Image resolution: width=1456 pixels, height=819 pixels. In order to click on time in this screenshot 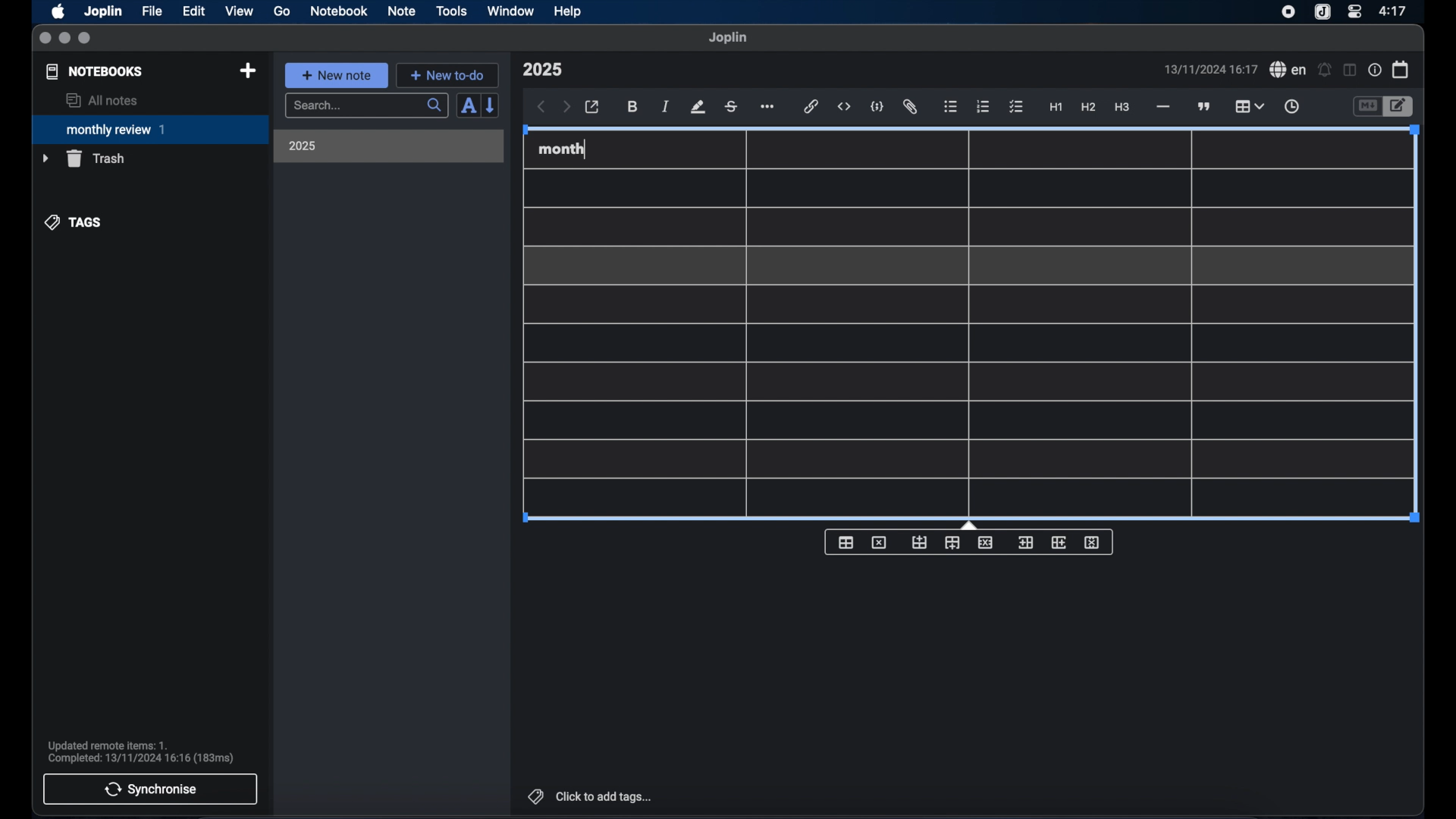, I will do `click(1395, 11)`.